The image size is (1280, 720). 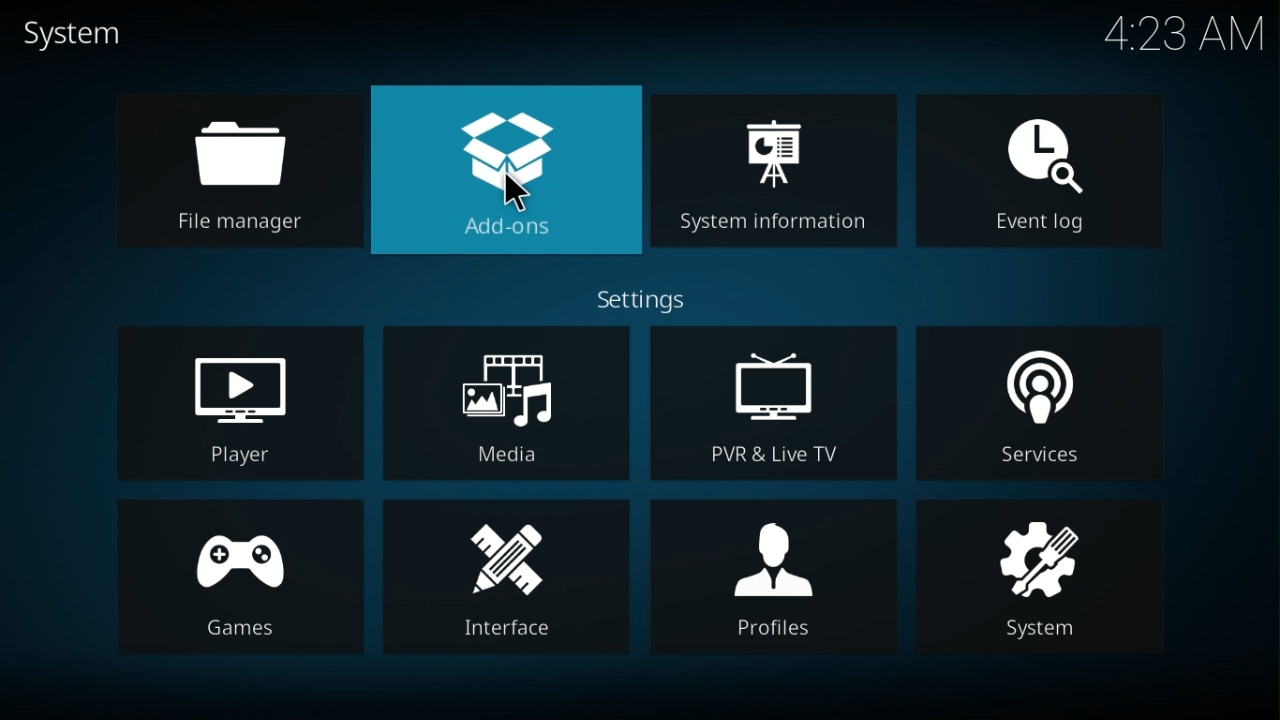 I want to click on Event log, so click(x=1039, y=174).